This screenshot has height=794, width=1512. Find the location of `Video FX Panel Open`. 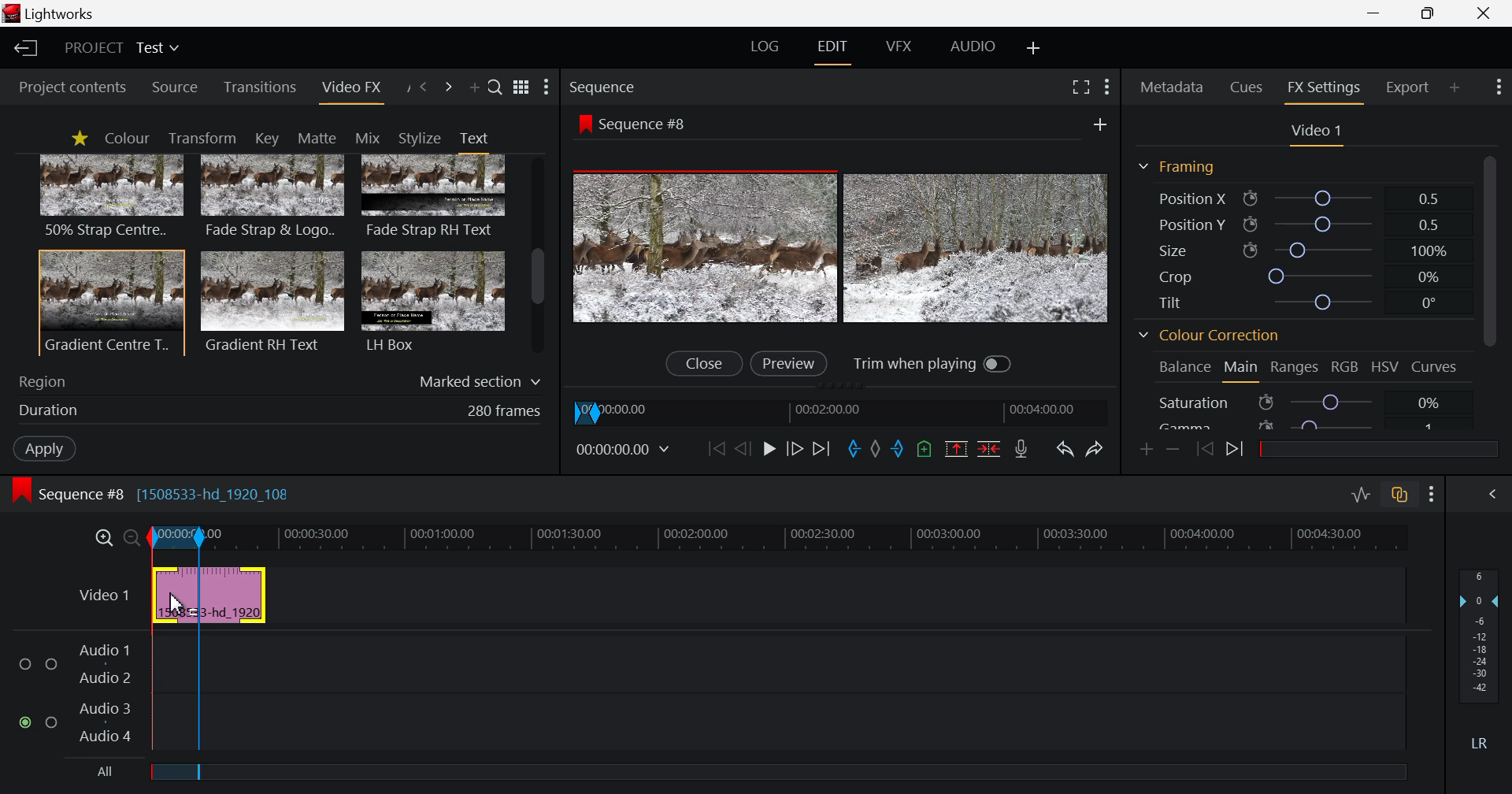

Video FX Panel Open is located at coordinates (354, 91).